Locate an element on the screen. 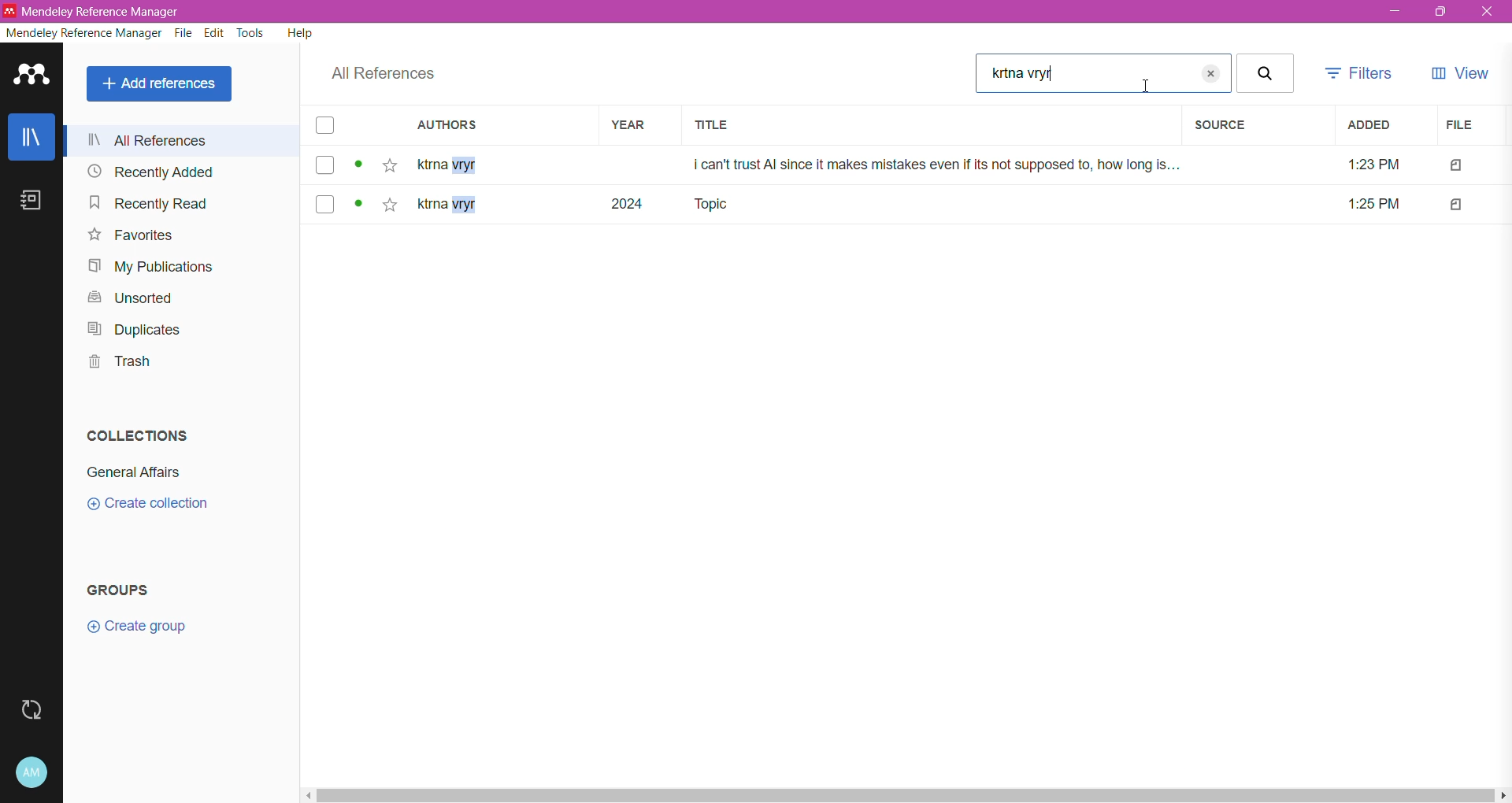  ‘Mendeley Reference Manager is located at coordinates (94, 11).